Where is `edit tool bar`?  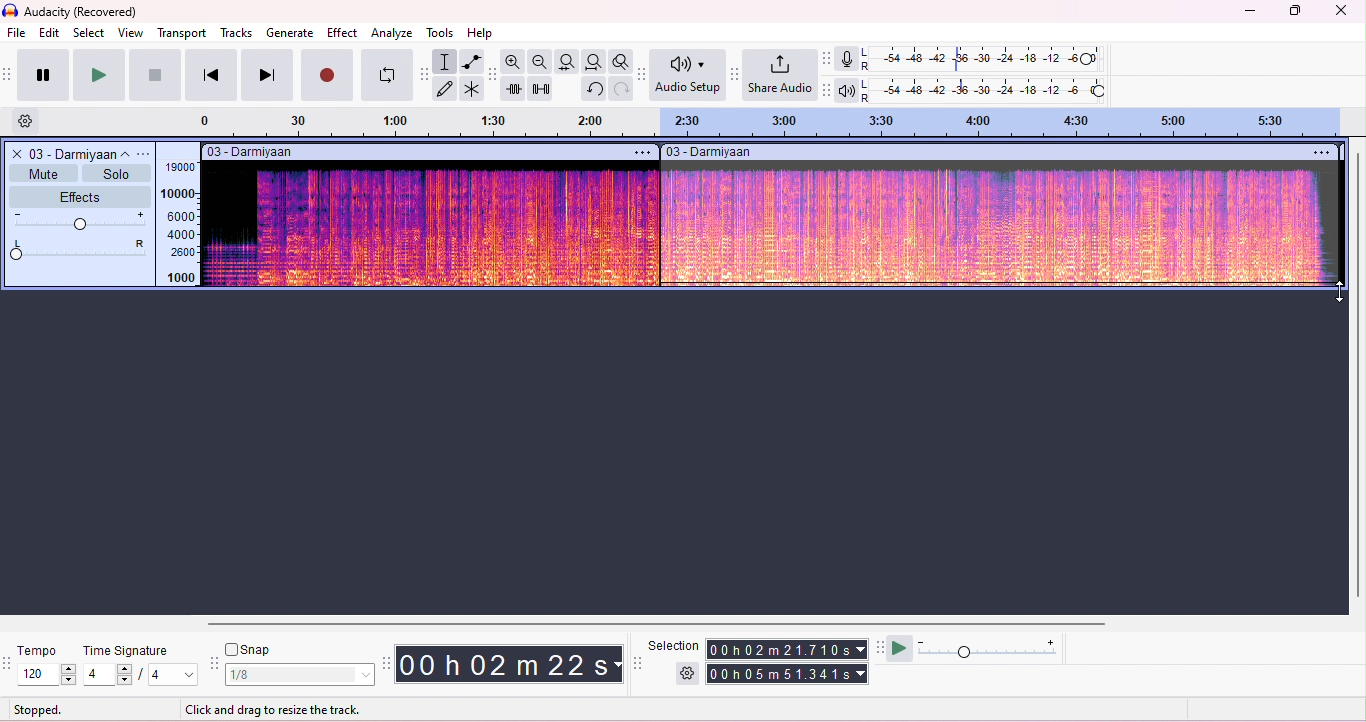 edit tool bar is located at coordinates (493, 76).